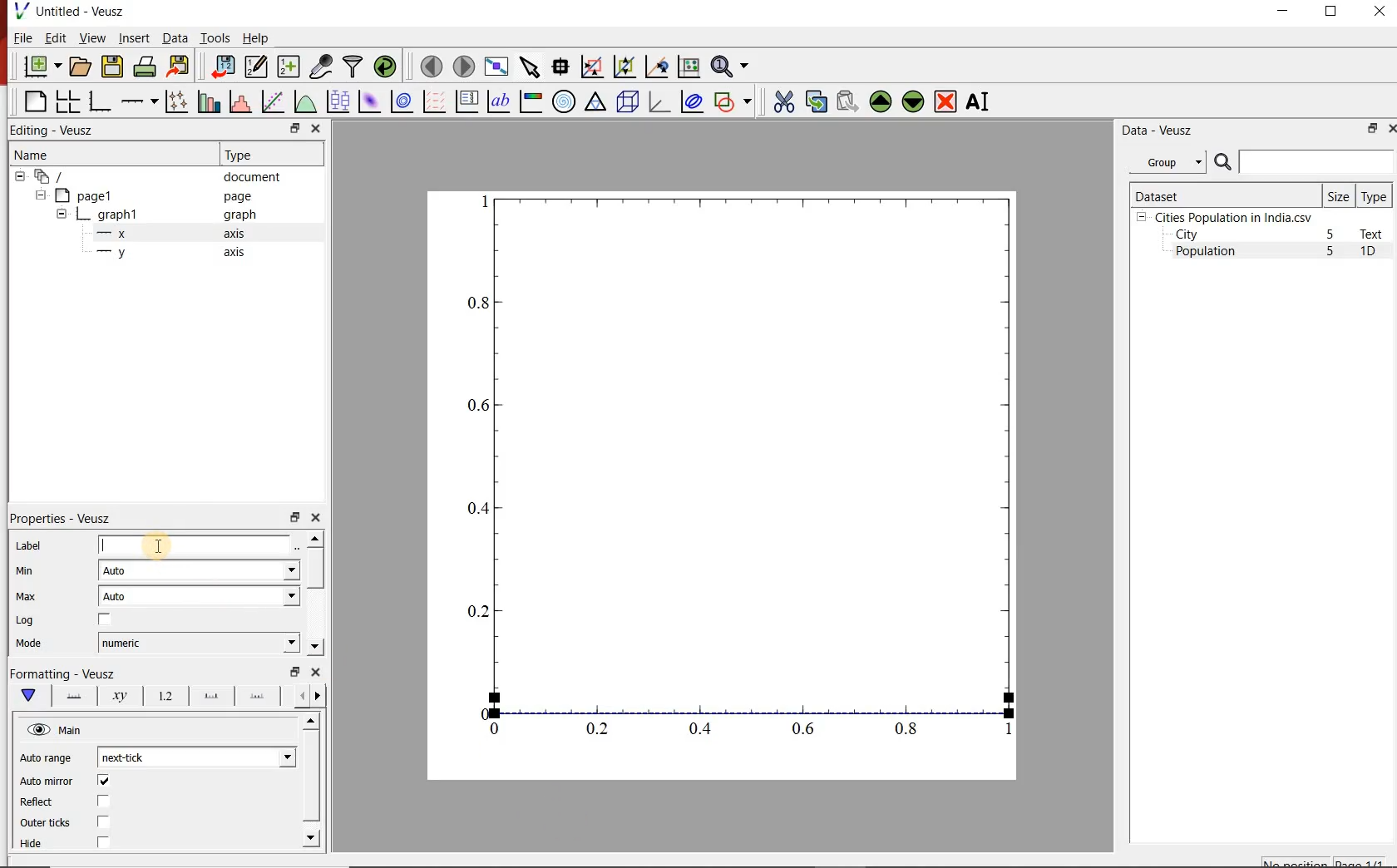 The width and height of the screenshot is (1397, 868). What do you see at coordinates (815, 100) in the screenshot?
I see `copy the selected widget` at bounding box center [815, 100].